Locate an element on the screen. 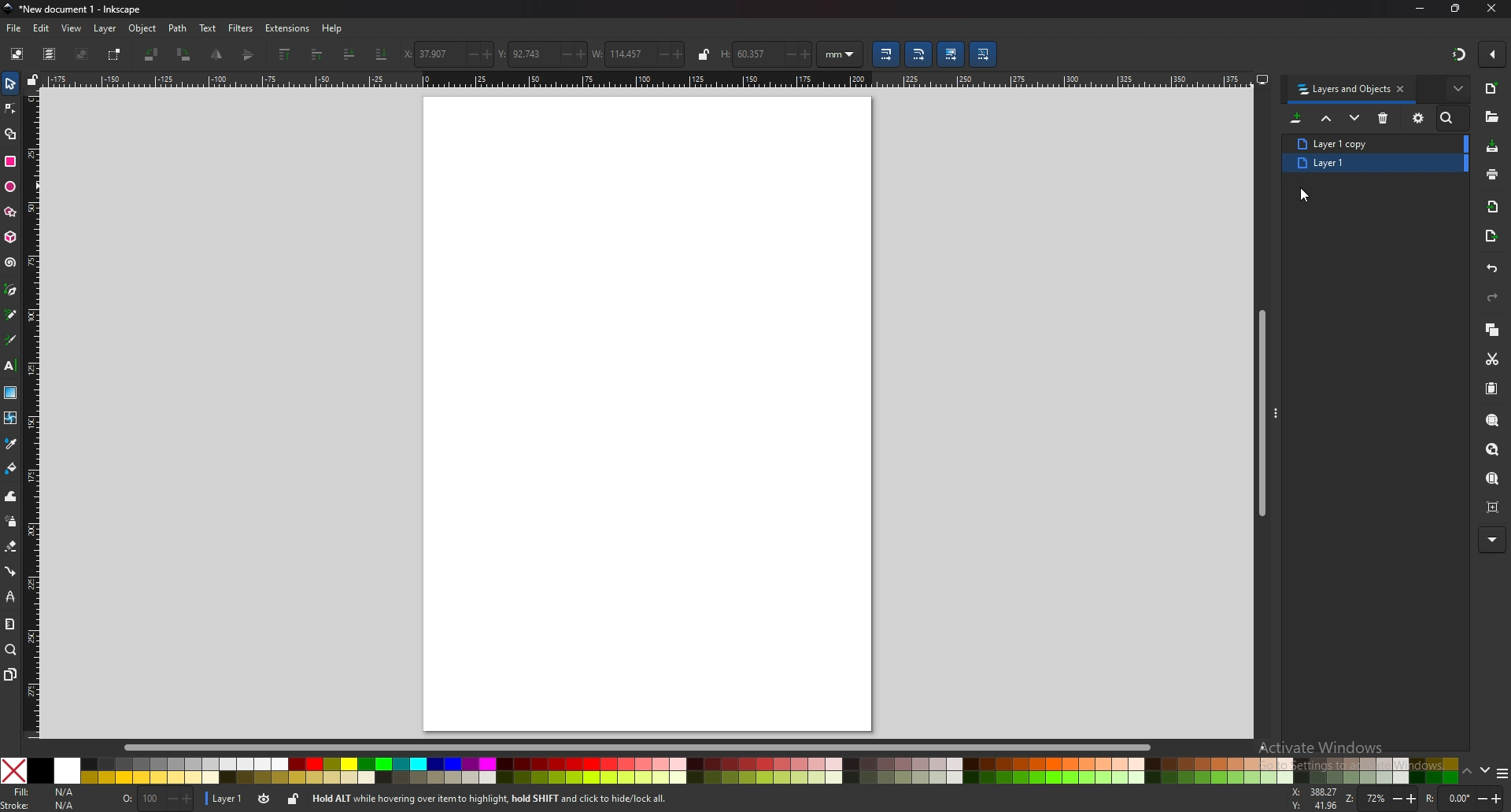  increase is located at coordinates (486, 54).